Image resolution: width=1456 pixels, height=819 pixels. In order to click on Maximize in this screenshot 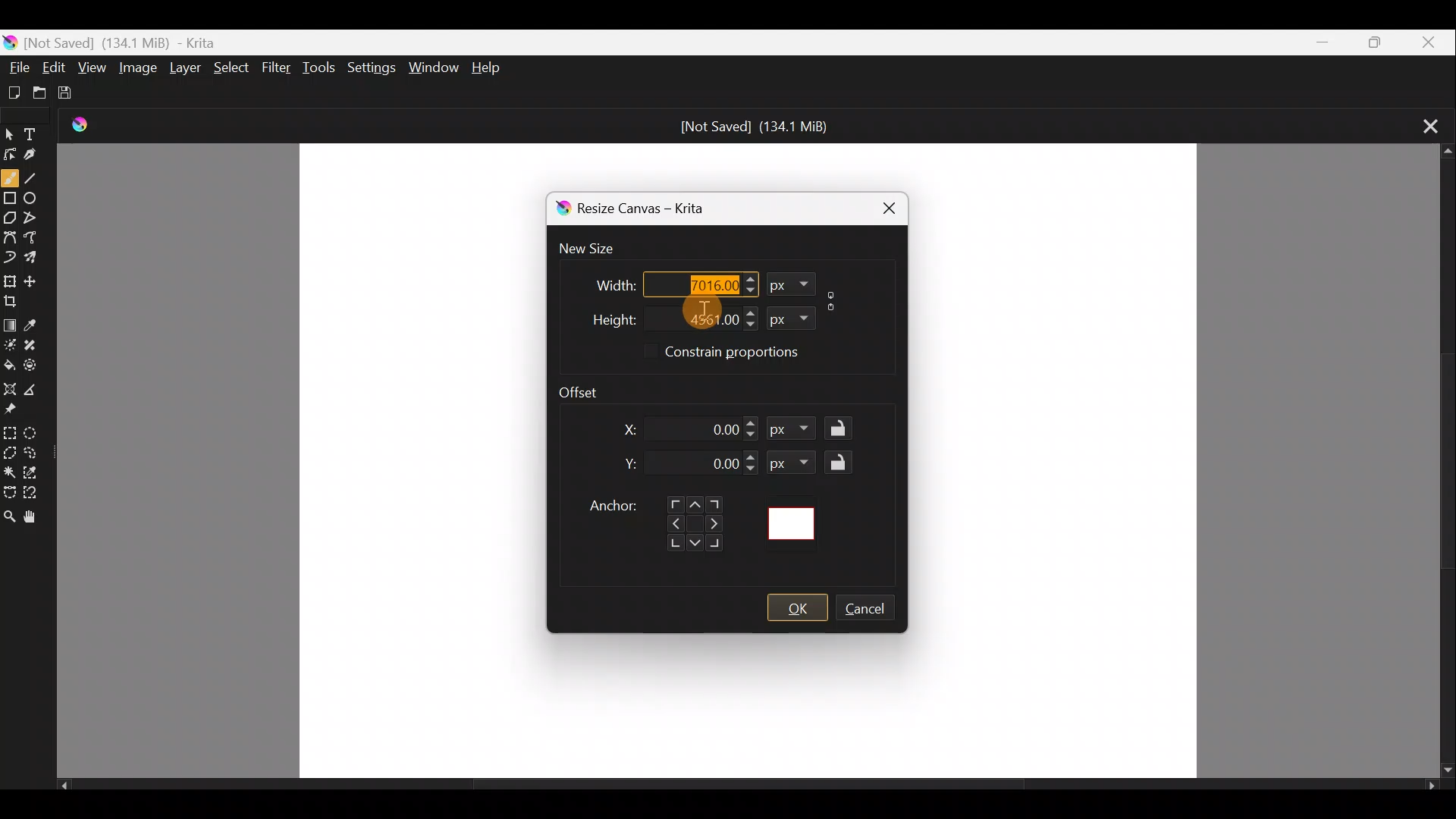, I will do `click(1370, 41)`.